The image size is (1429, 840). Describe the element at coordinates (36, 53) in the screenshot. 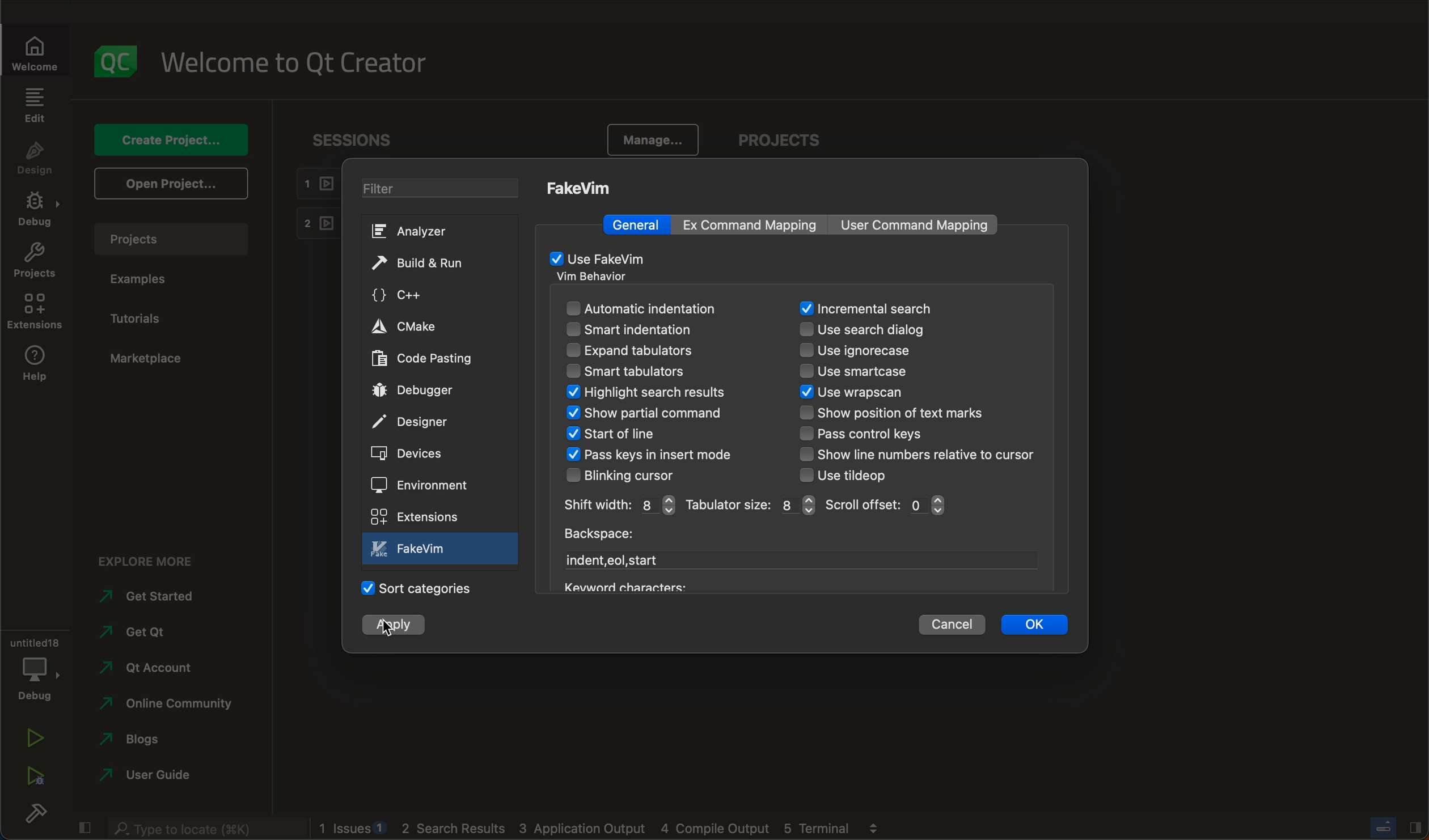

I see `welcome` at that location.